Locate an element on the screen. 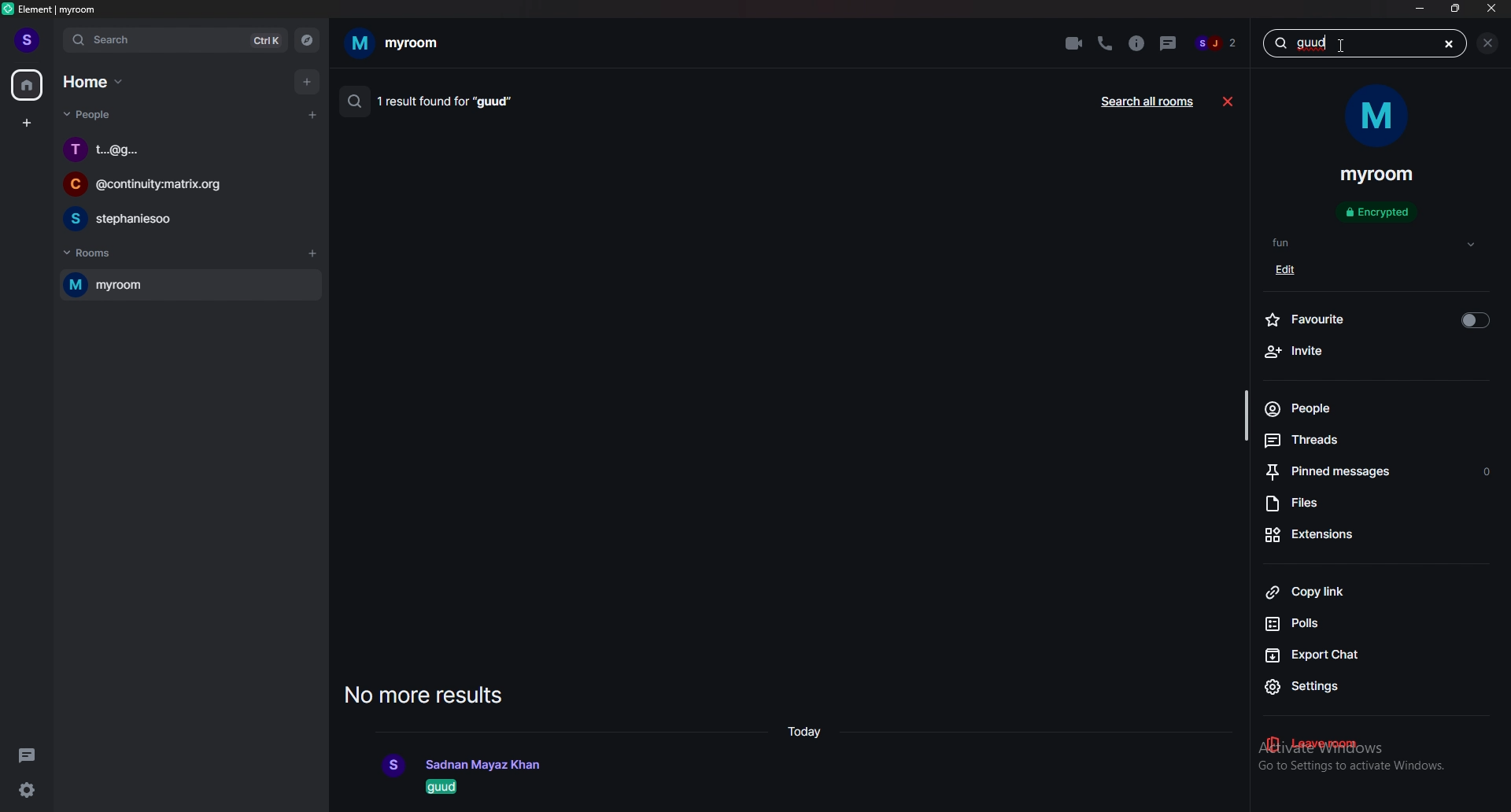 This screenshot has width=1511, height=812. search is located at coordinates (177, 39).